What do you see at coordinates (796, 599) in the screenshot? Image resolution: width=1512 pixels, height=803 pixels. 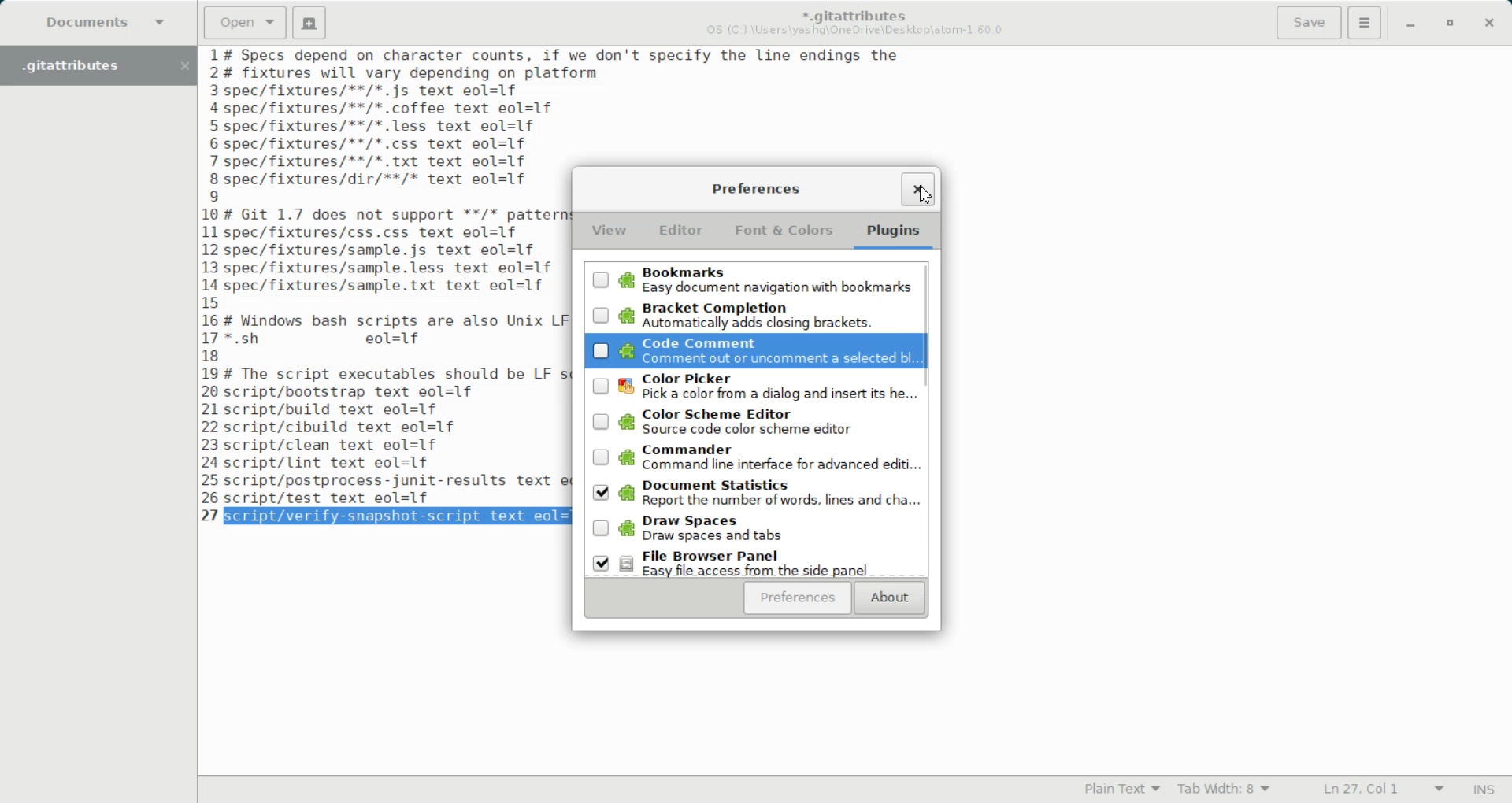 I see `Preferences` at bounding box center [796, 599].